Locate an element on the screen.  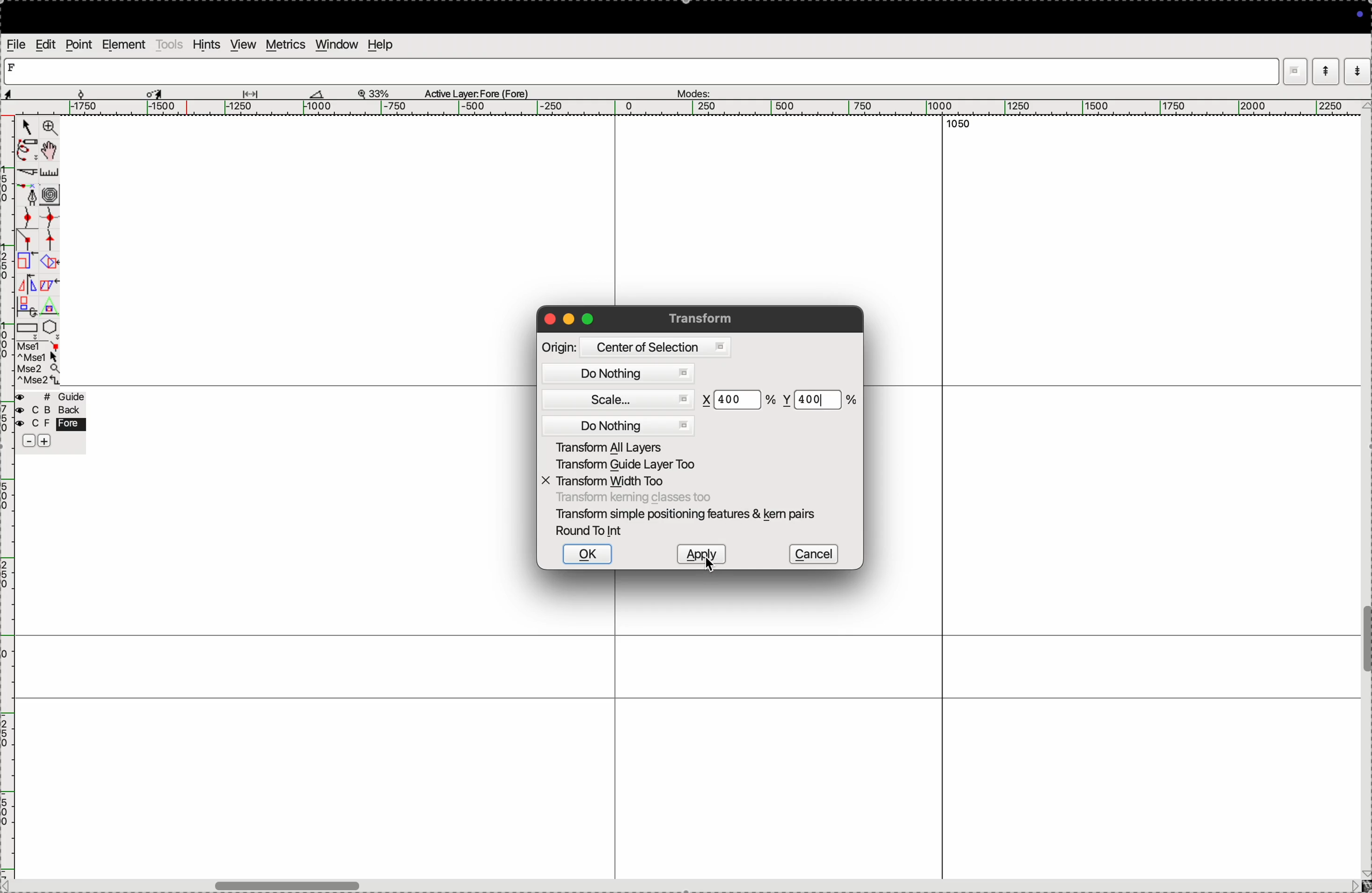
edit is located at coordinates (47, 44).